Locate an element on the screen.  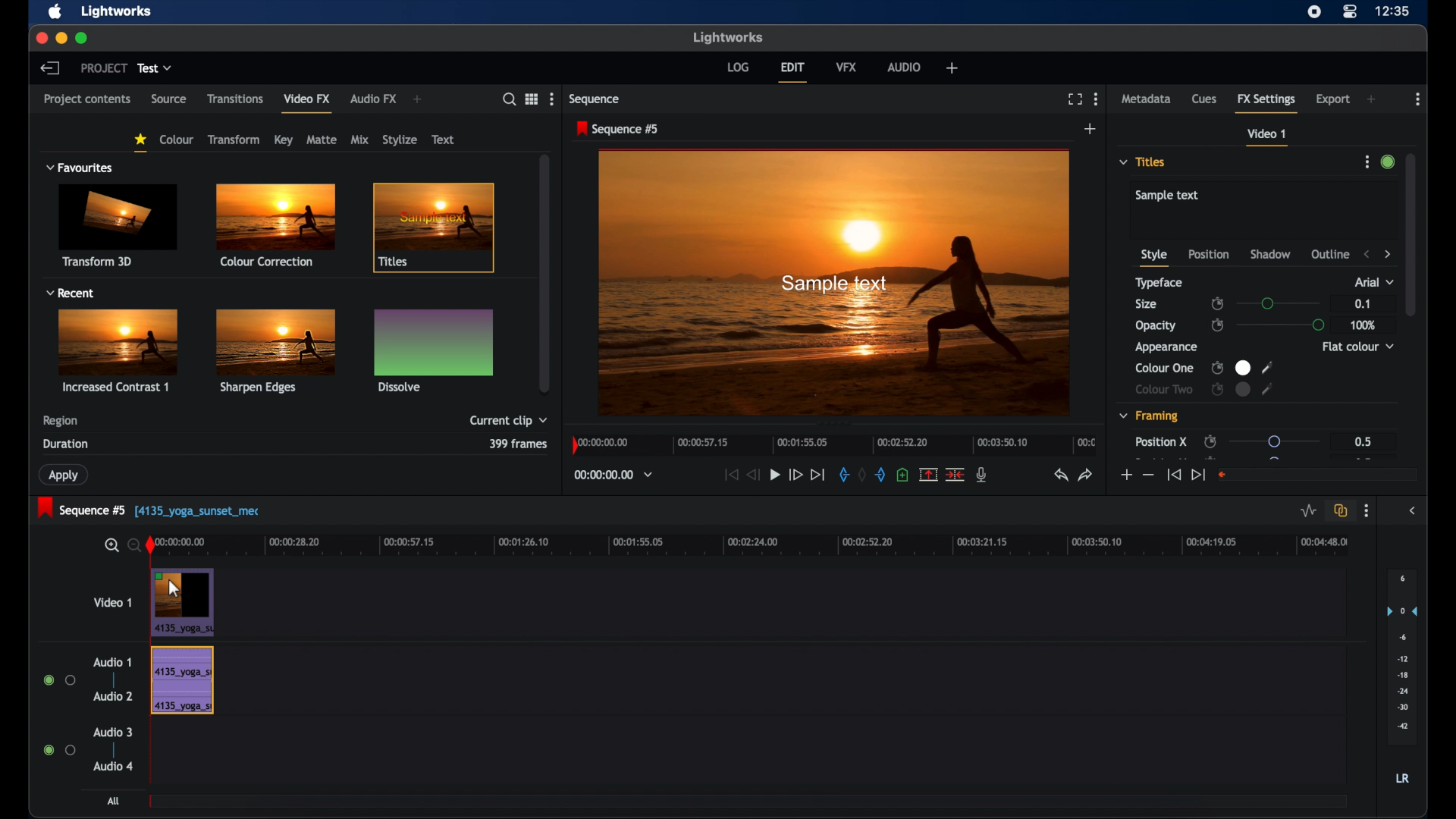
add is located at coordinates (418, 99).